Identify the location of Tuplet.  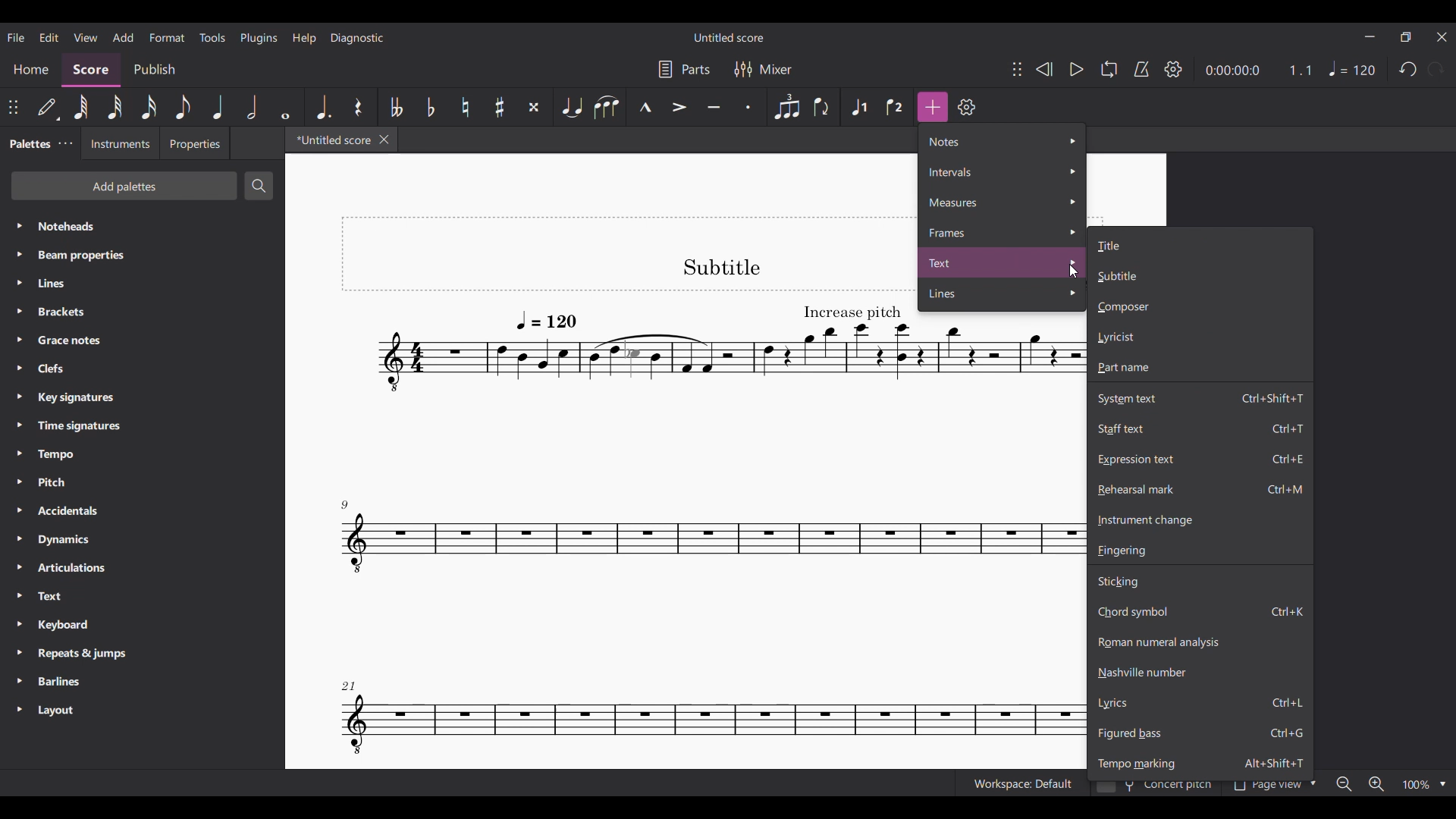
(786, 107).